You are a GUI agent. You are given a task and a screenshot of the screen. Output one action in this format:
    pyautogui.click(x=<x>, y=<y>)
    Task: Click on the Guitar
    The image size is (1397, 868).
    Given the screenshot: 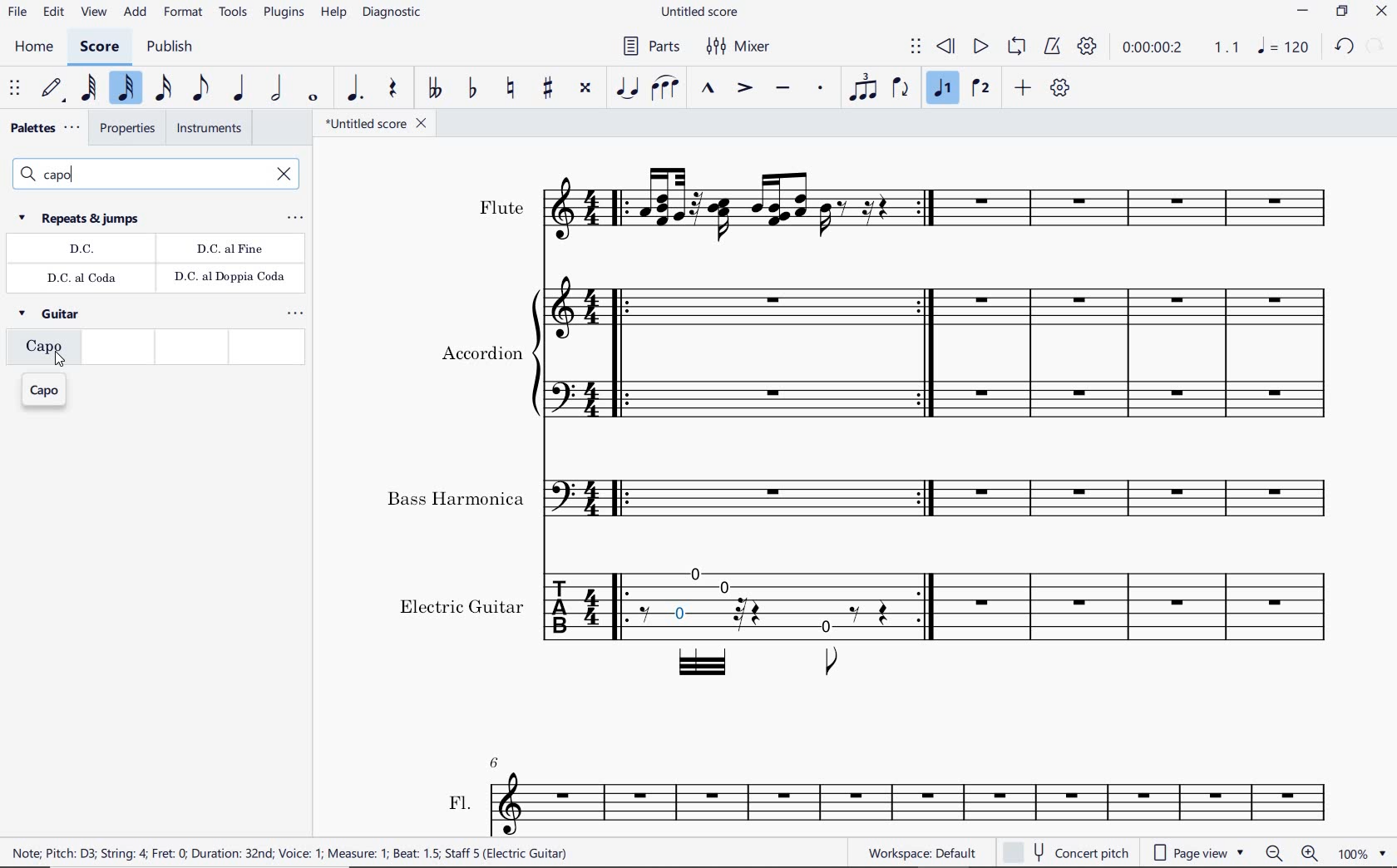 What is the action you would take?
    pyautogui.click(x=52, y=317)
    